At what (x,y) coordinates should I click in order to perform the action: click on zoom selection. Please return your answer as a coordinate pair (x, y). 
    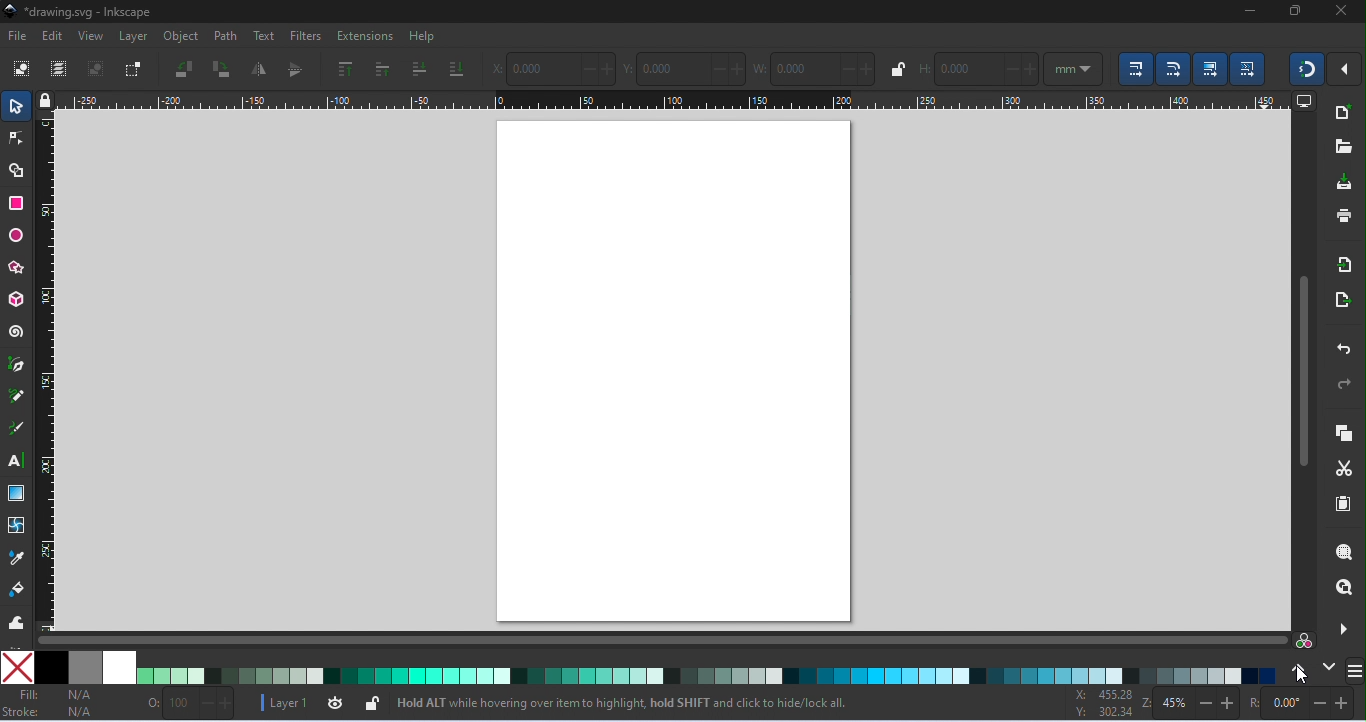
    Looking at the image, I should click on (1341, 552).